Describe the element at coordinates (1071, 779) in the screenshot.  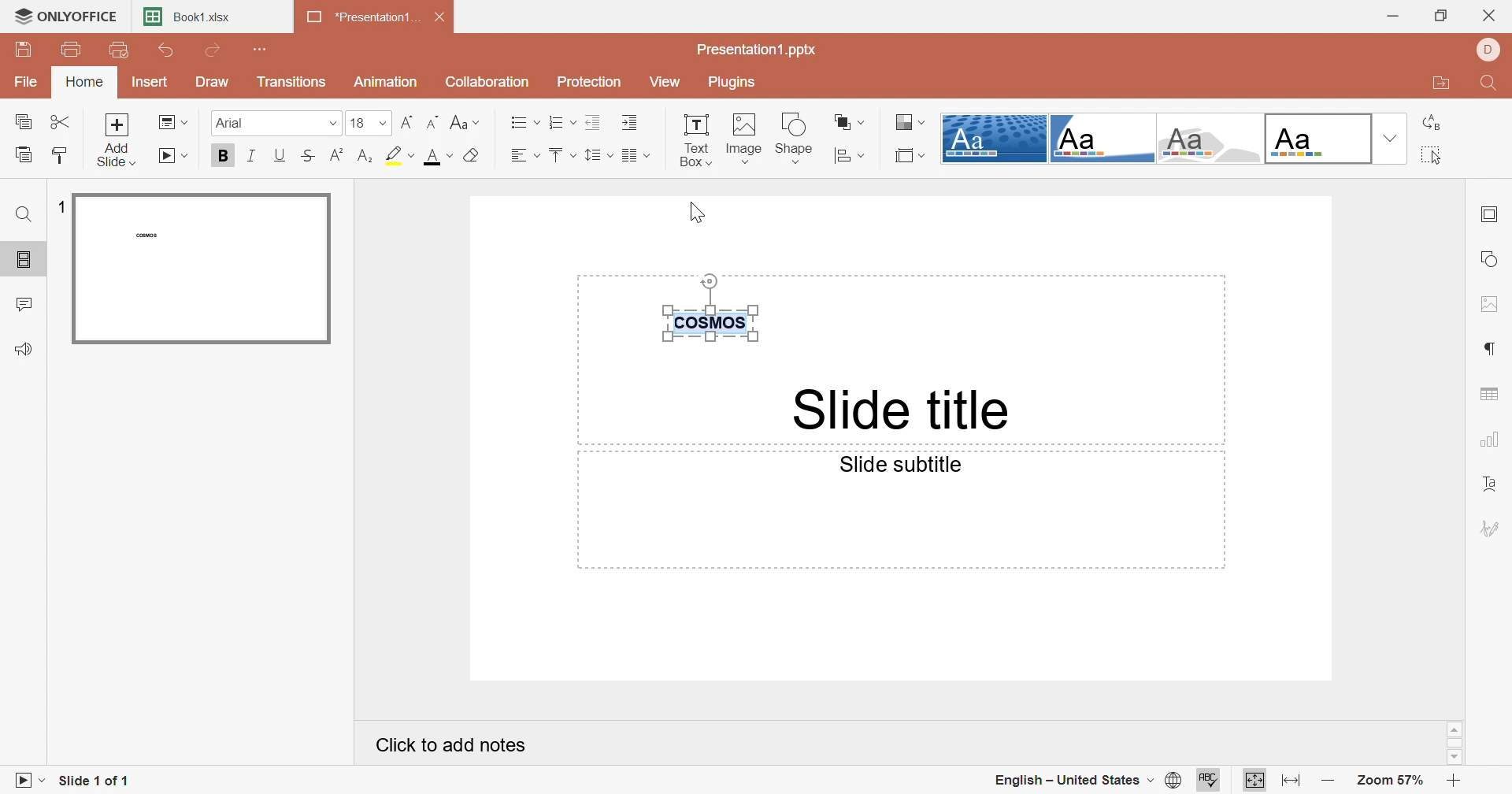
I see `English - United State` at that location.